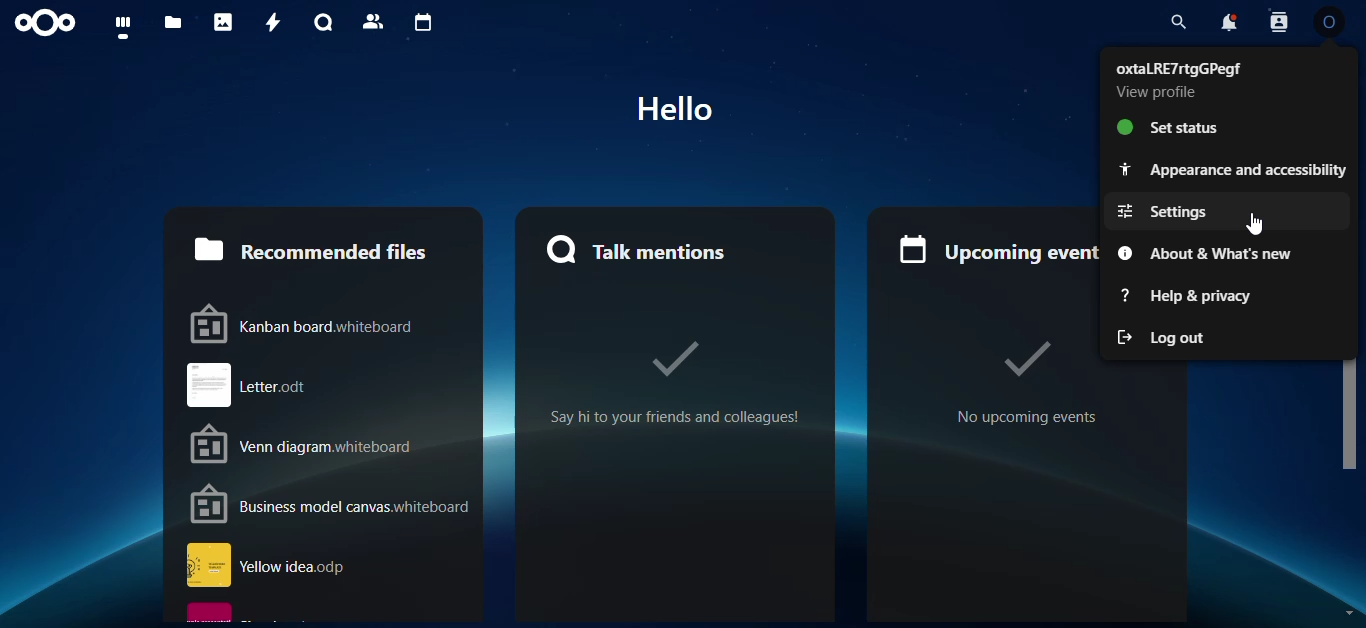 The height and width of the screenshot is (628, 1366). What do you see at coordinates (1349, 613) in the screenshot?
I see `scroll down` at bounding box center [1349, 613].